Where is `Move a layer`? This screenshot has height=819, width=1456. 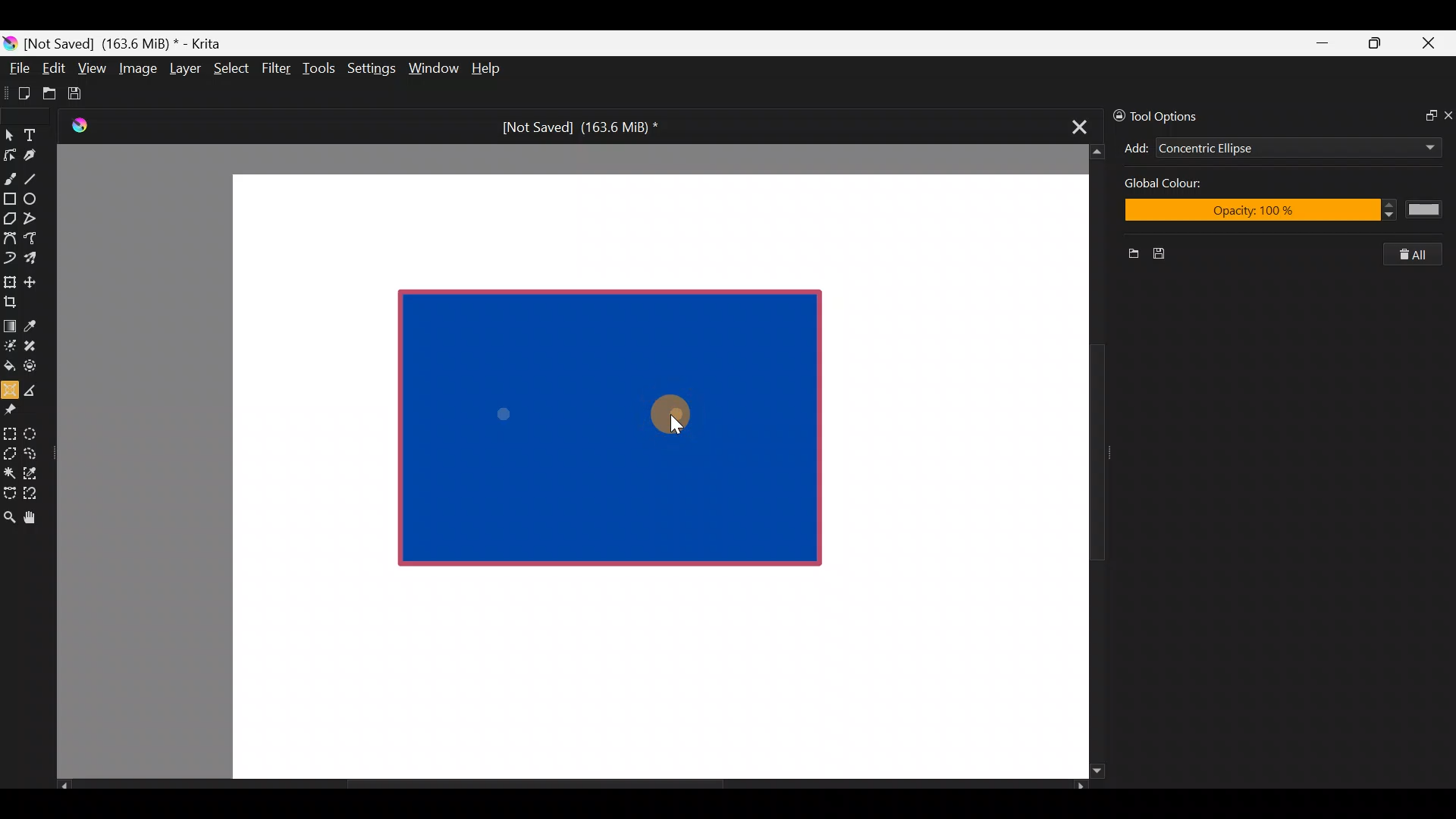
Move a layer is located at coordinates (35, 280).